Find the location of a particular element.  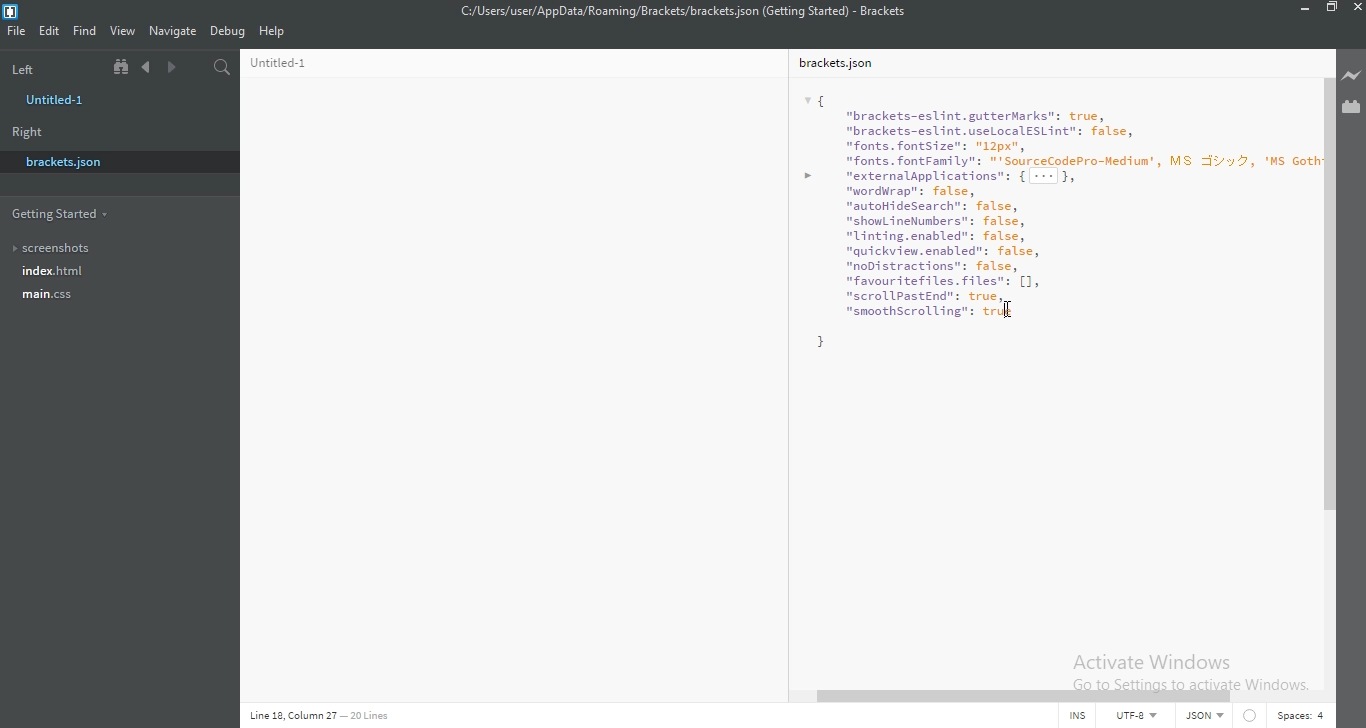

main.css is located at coordinates (116, 298).